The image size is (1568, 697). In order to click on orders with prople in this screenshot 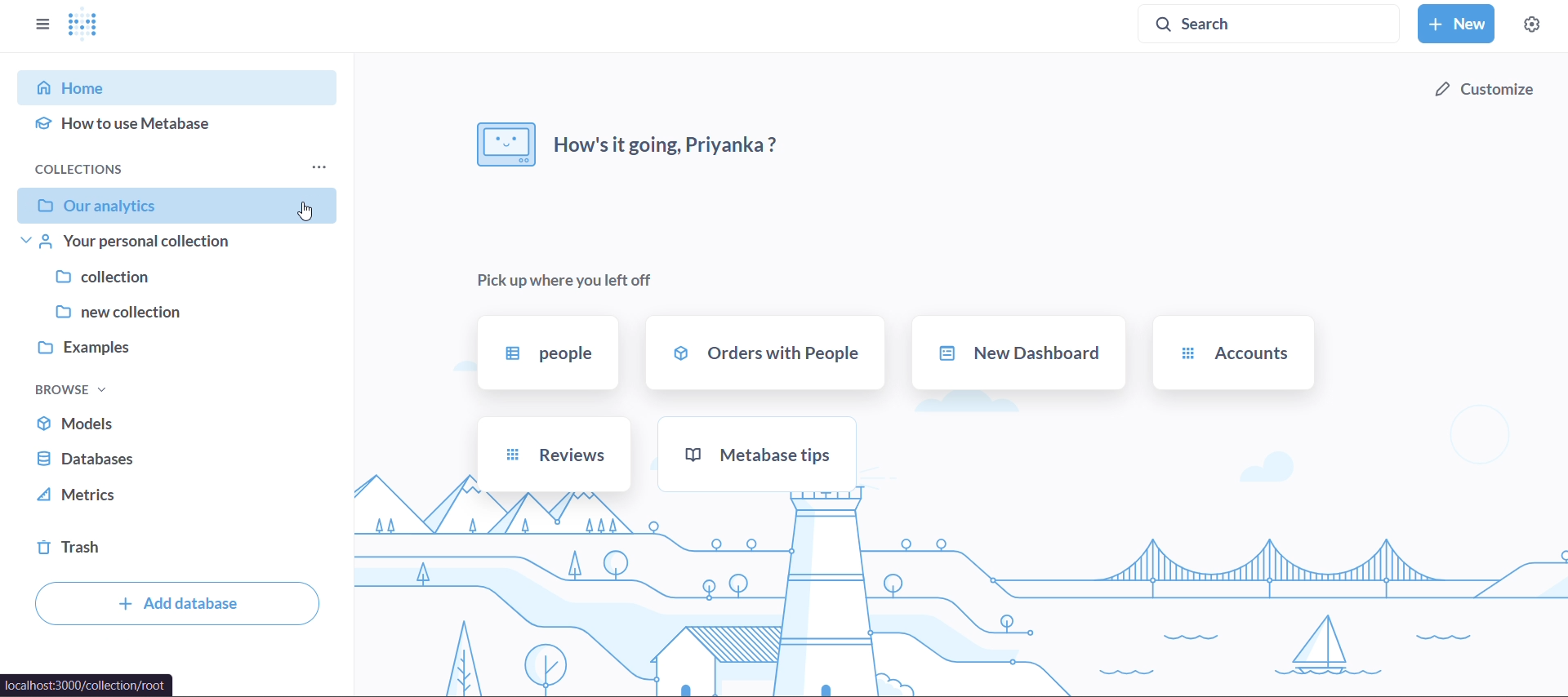, I will do `click(766, 353)`.